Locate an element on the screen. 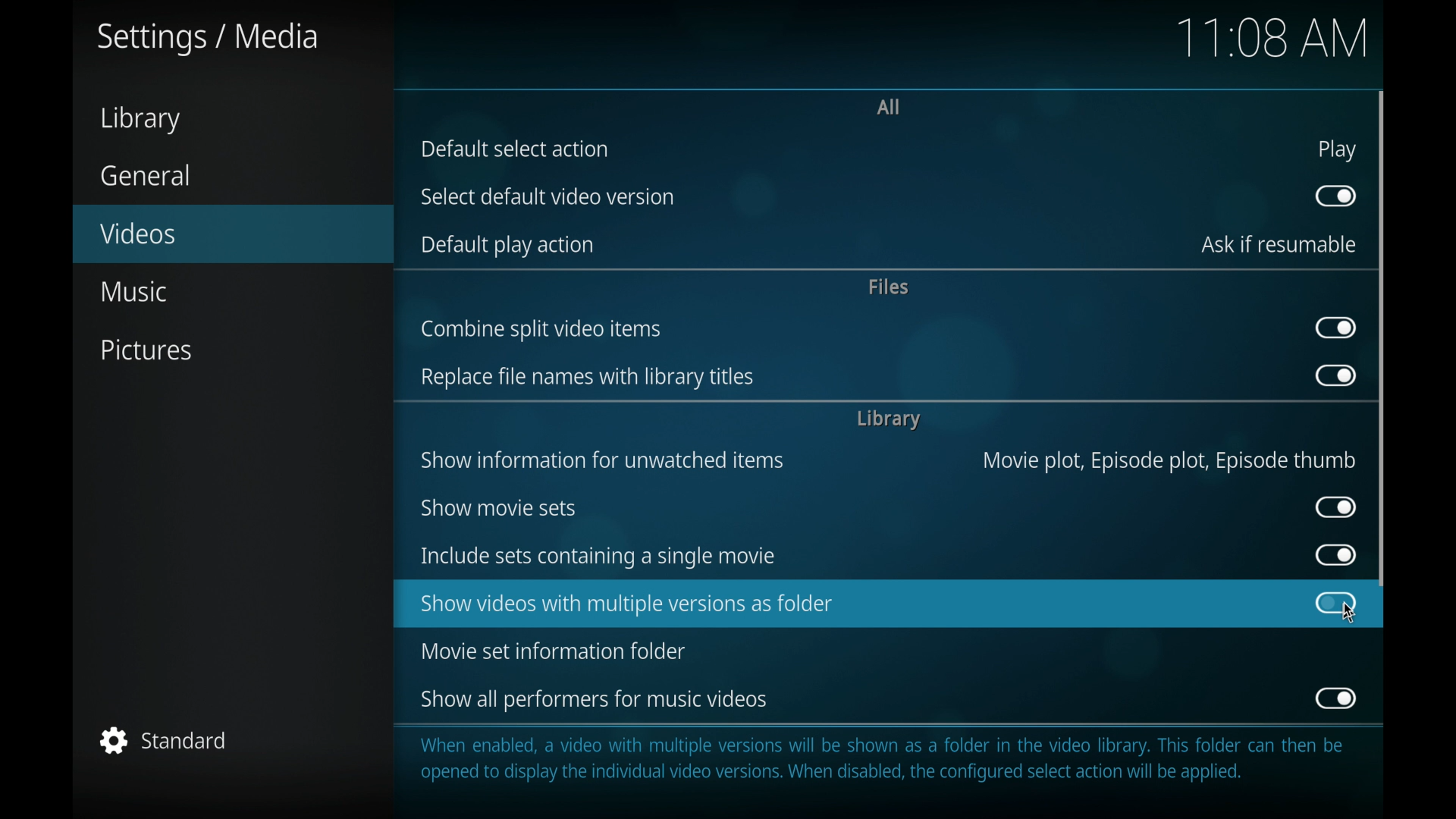  toggle button is located at coordinates (1336, 328).